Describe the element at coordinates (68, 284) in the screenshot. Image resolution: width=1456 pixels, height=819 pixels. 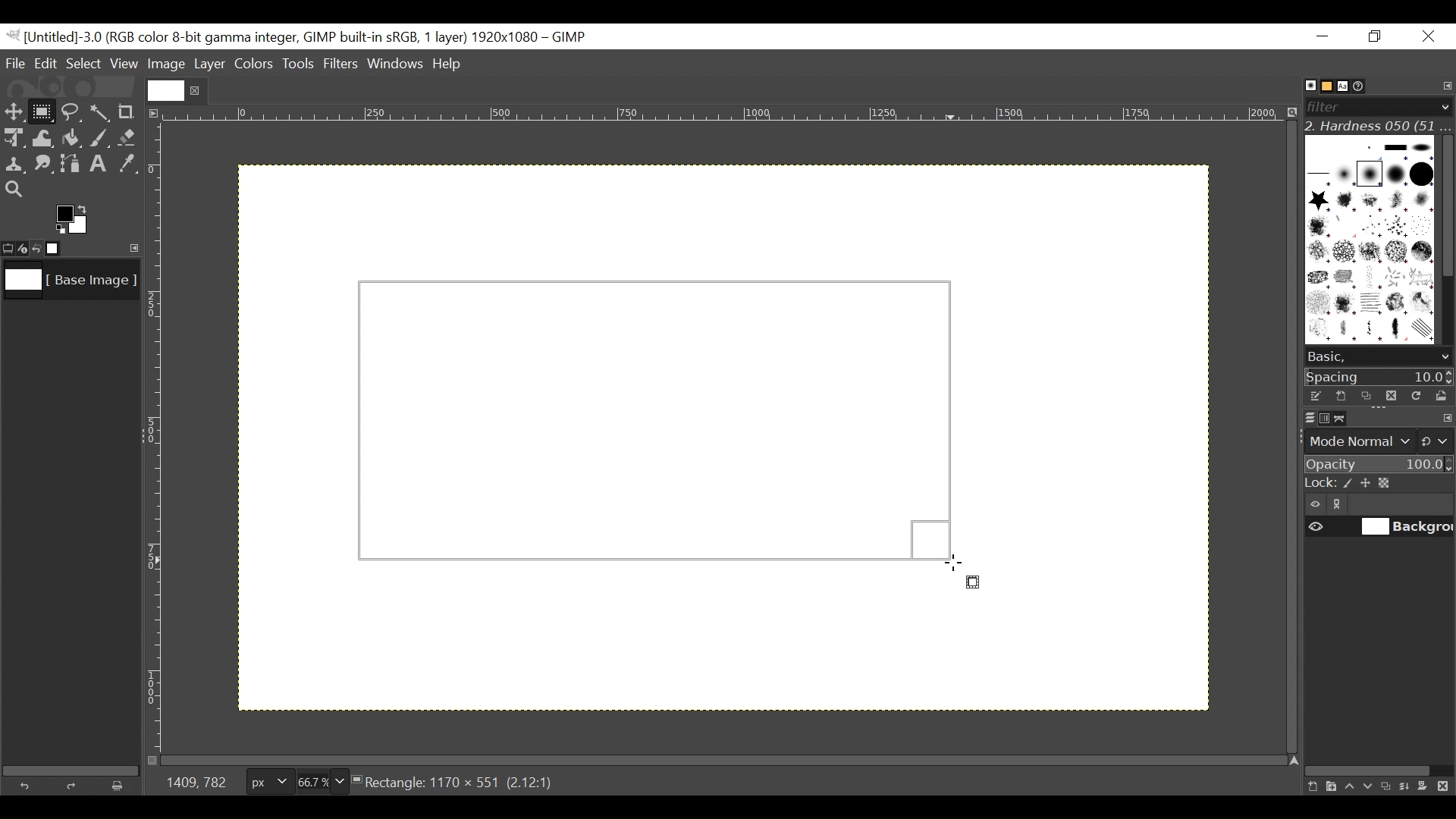
I see `Image` at that location.